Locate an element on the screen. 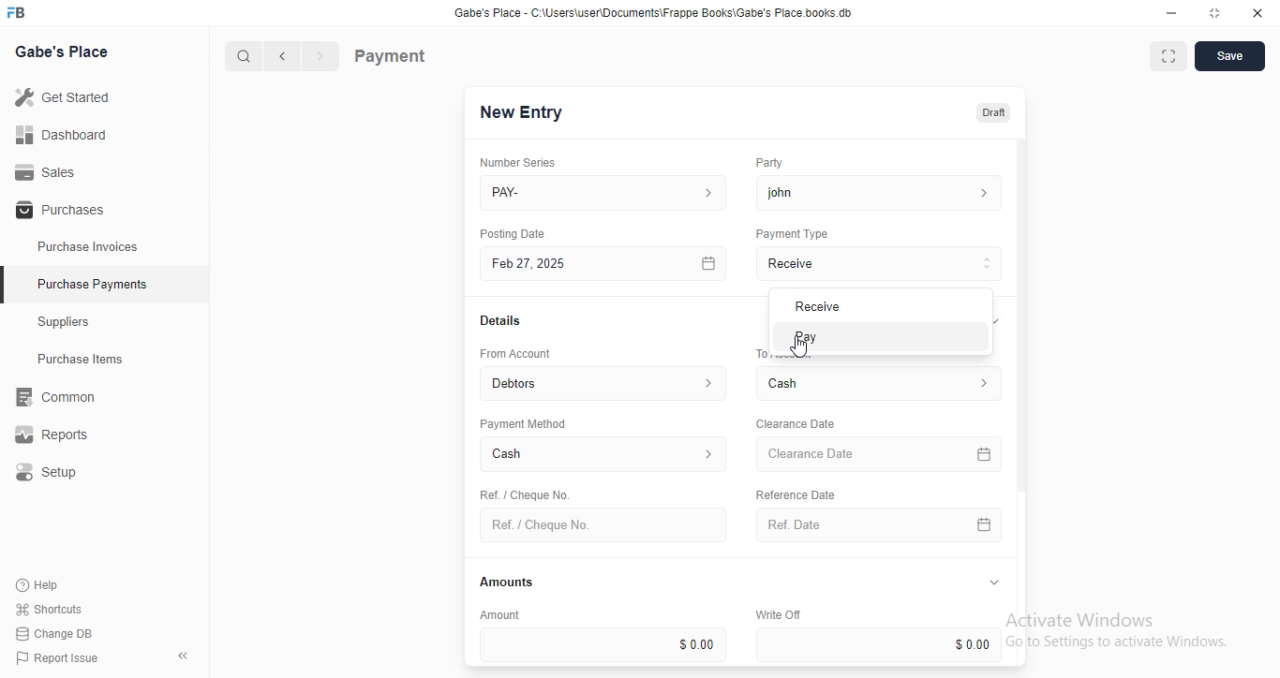 Image resolution: width=1280 pixels, height=678 pixels. Payment Type is located at coordinates (790, 234).